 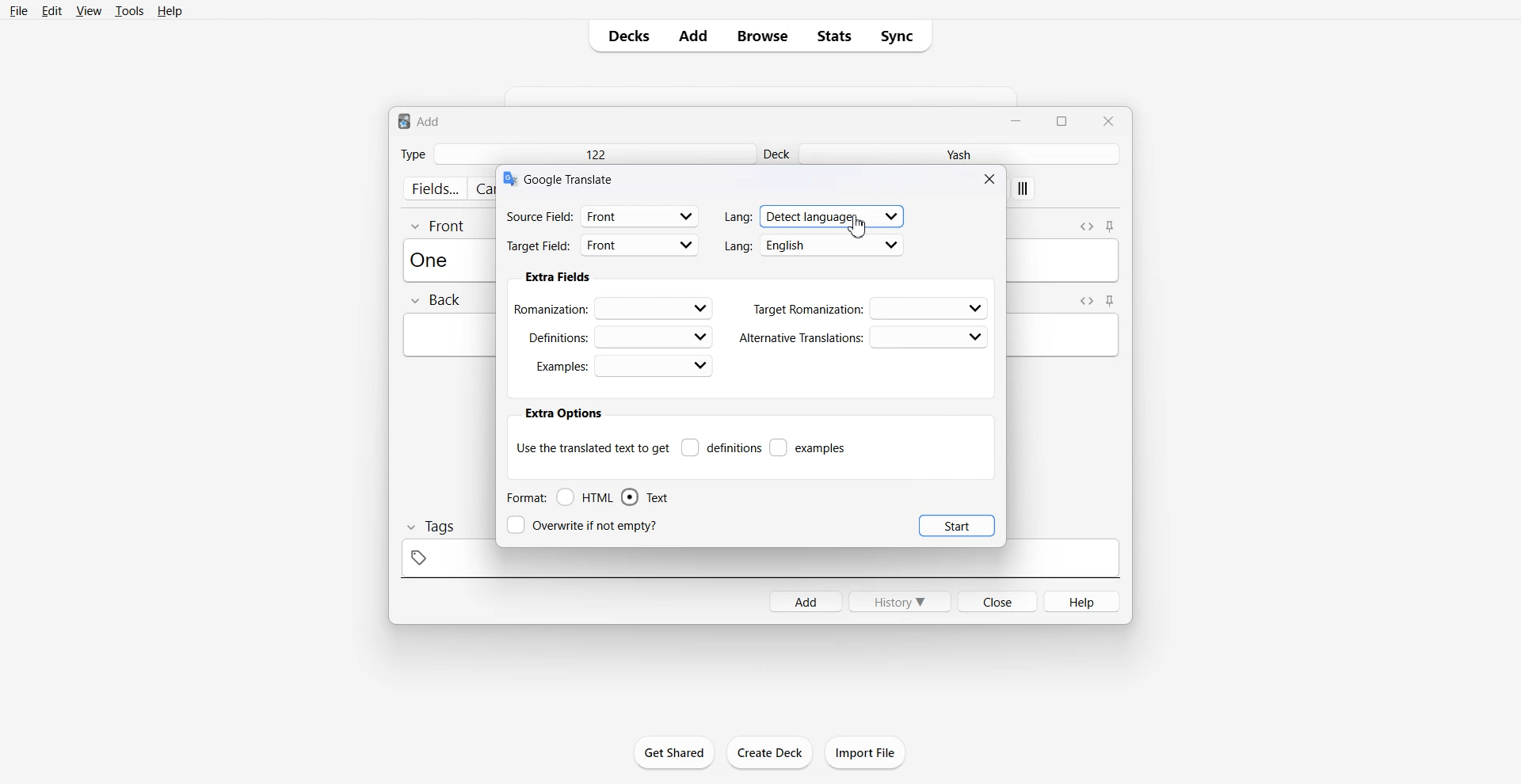 I want to click on Toggle sticky, so click(x=1111, y=227).